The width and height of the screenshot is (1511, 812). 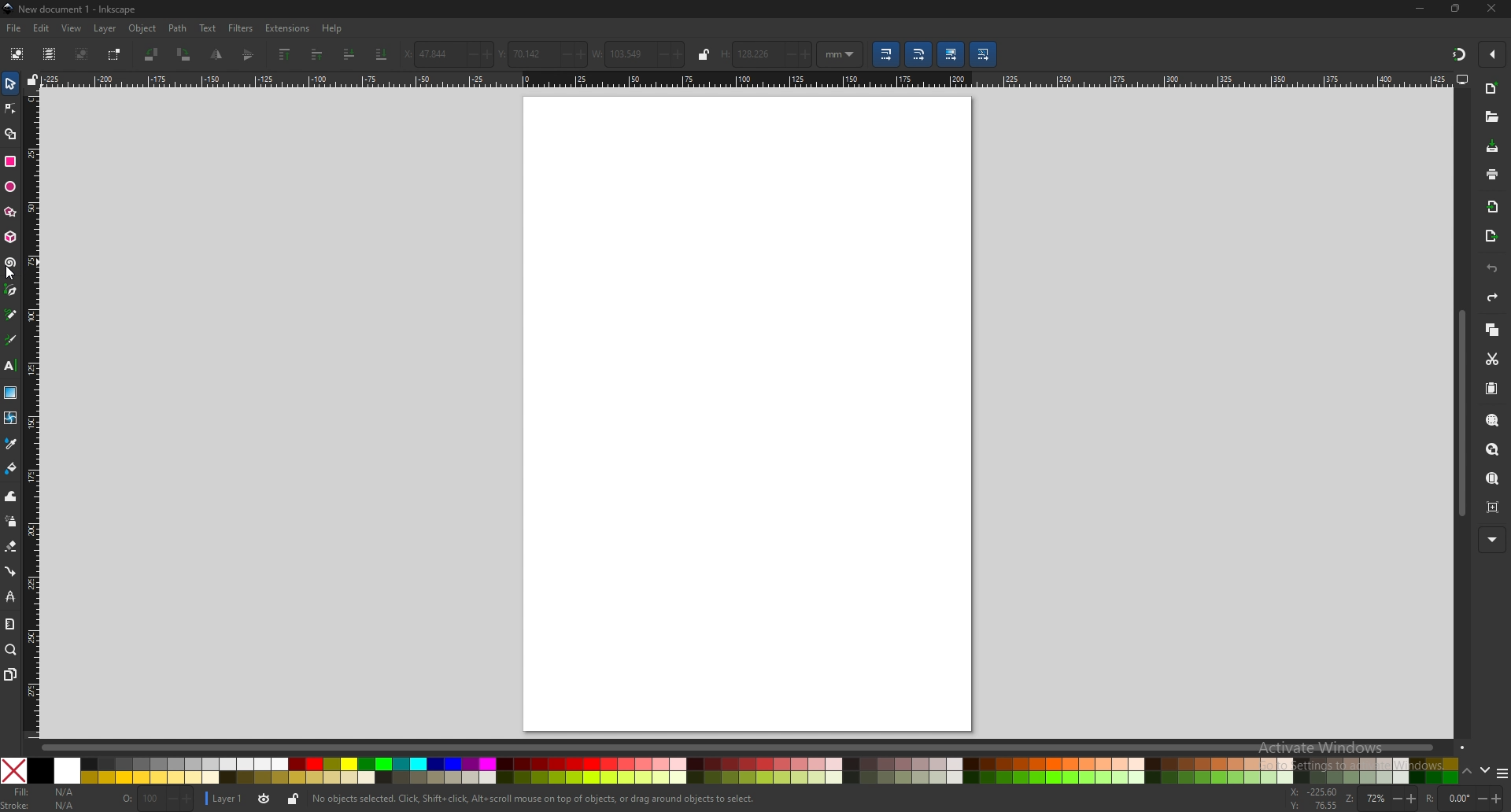 What do you see at coordinates (1493, 360) in the screenshot?
I see `cut` at bounding box center [1493, 360].